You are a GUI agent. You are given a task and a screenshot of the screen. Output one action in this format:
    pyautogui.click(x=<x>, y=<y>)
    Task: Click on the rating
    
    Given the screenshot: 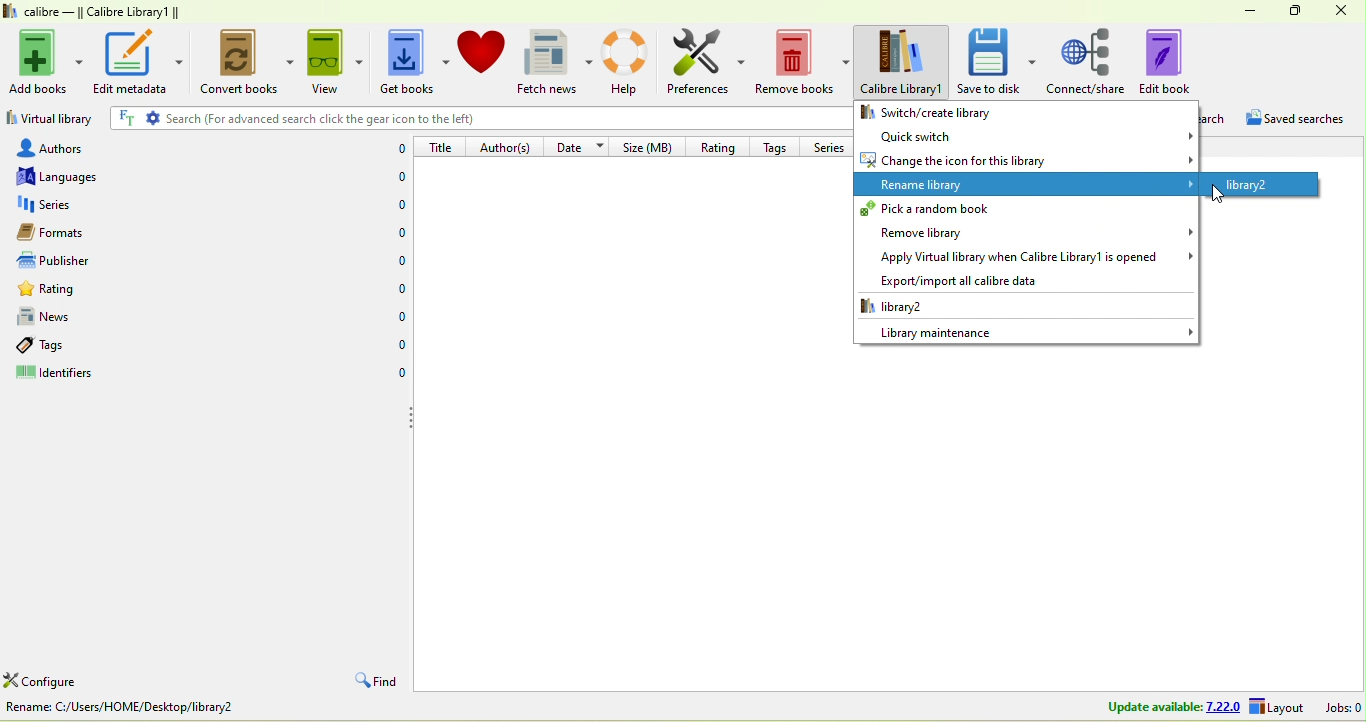 What is the action you would take?
    pyautogui.click(x=716, y=145)
    